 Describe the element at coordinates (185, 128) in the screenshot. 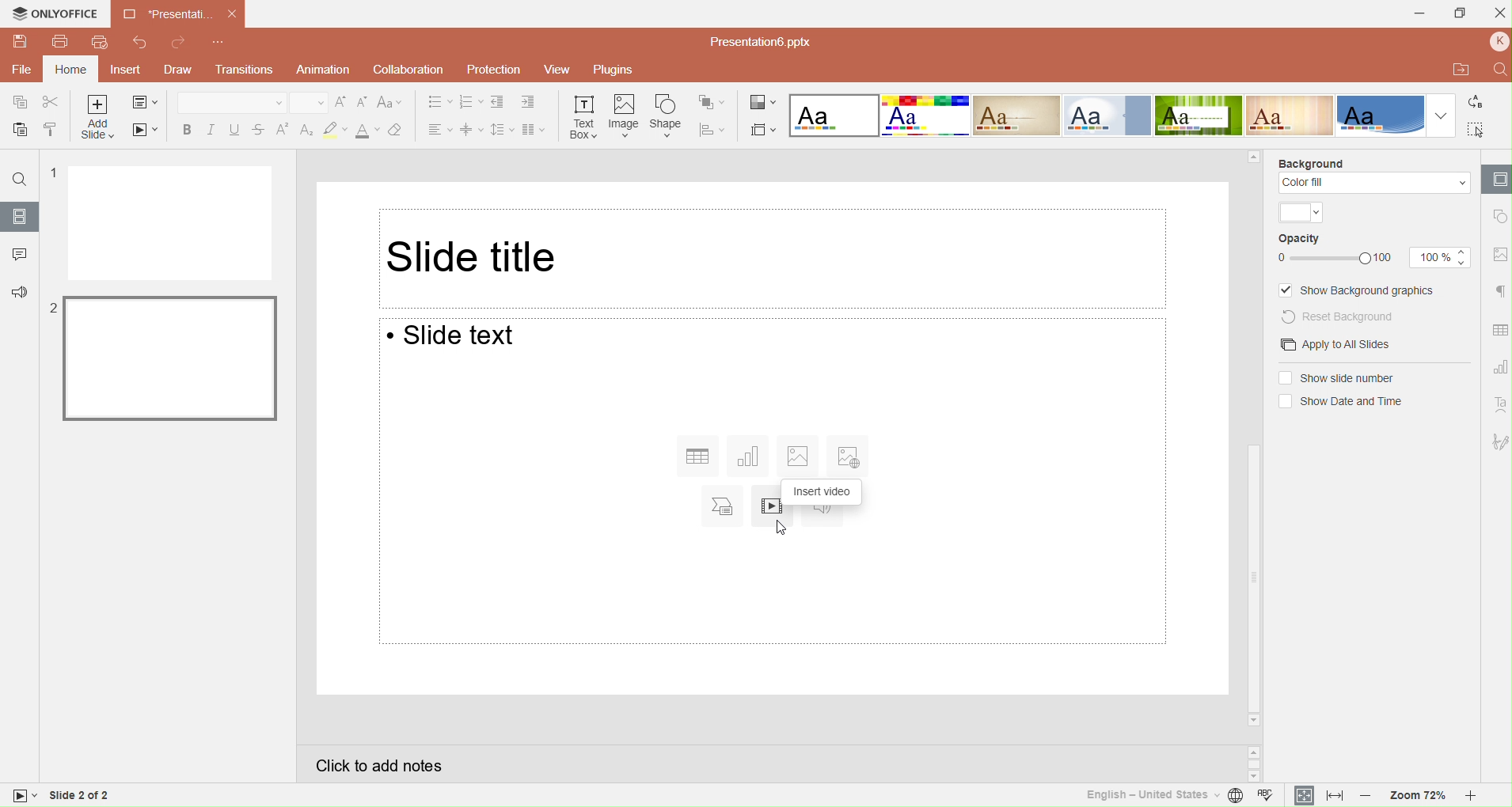

I see `Bold` at that location.